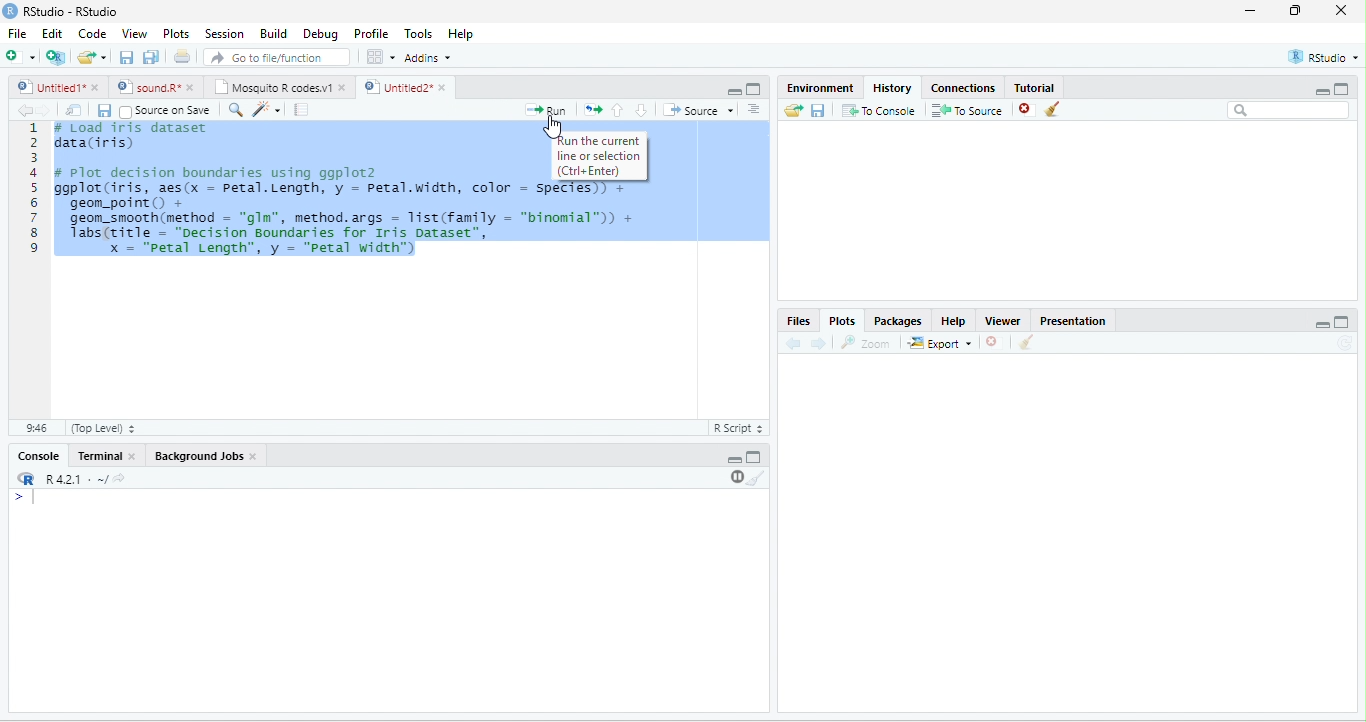 This screenshot has height=722, width=1366. What do you see at coordinates (373, 34) in the screenshot?
I see `Profile` at bounding box center [373, 34].